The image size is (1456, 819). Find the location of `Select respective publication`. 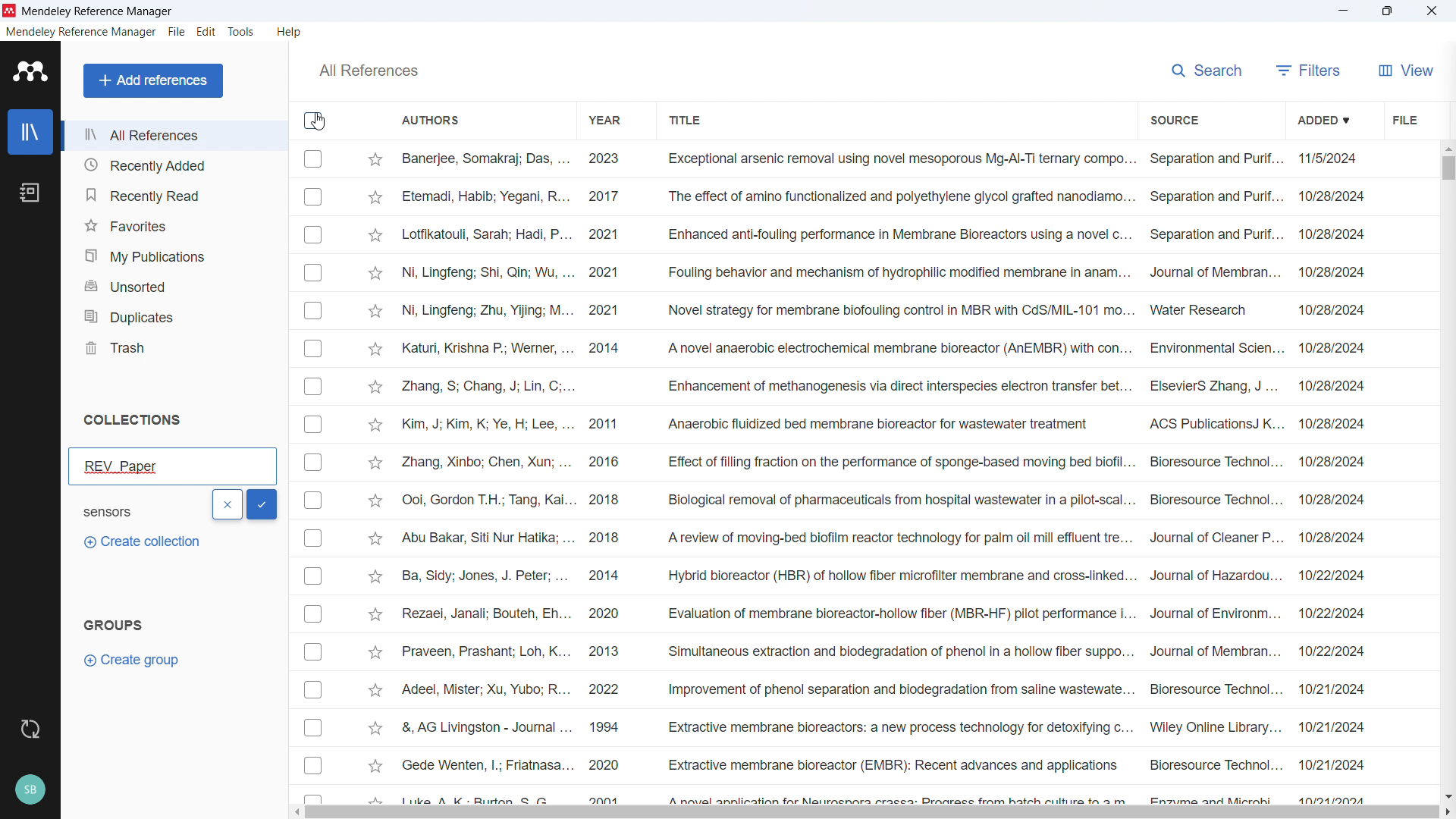

Select respective publication is located at coordinates (312, 576).